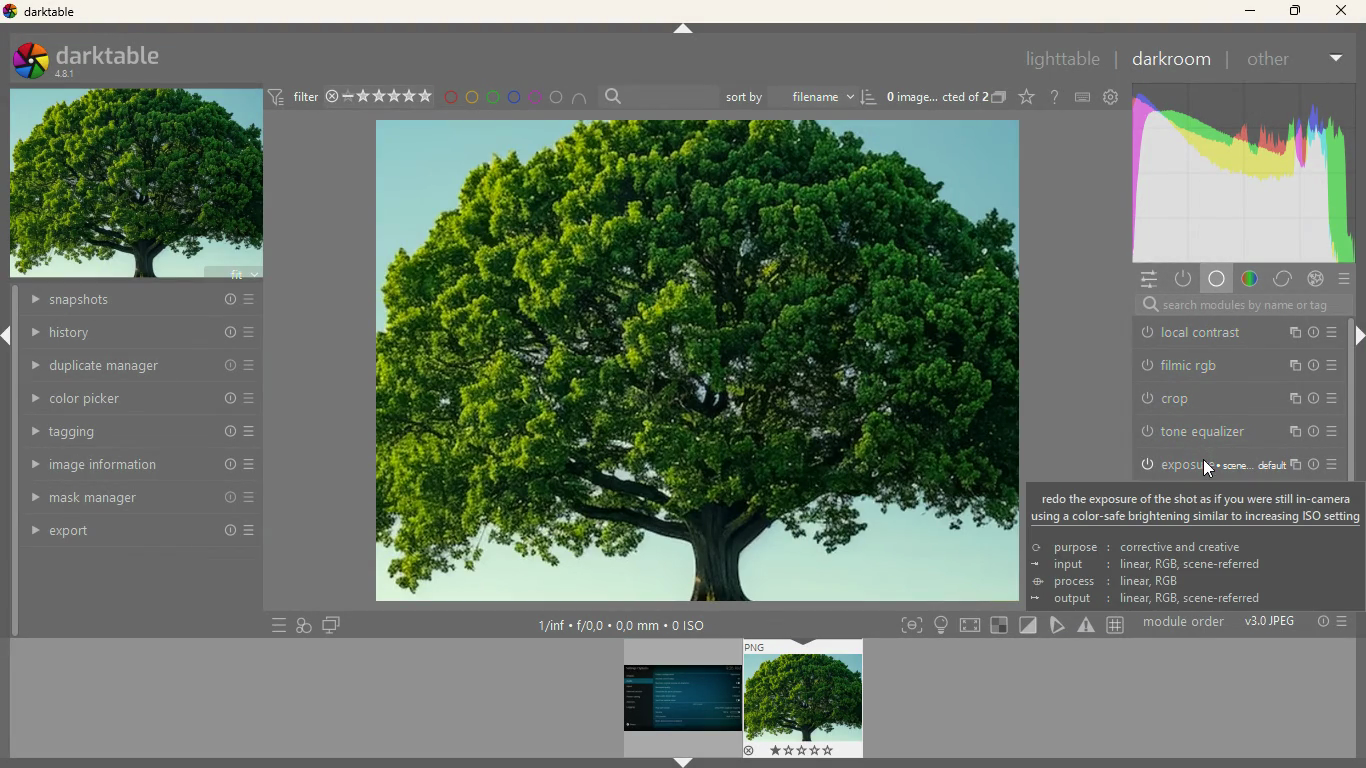 Image resolution: width=1366 pixels, height=768 pixels. Describe the element at coordinates (578, 98) in the screenshot. I see `semi circle` at that location.